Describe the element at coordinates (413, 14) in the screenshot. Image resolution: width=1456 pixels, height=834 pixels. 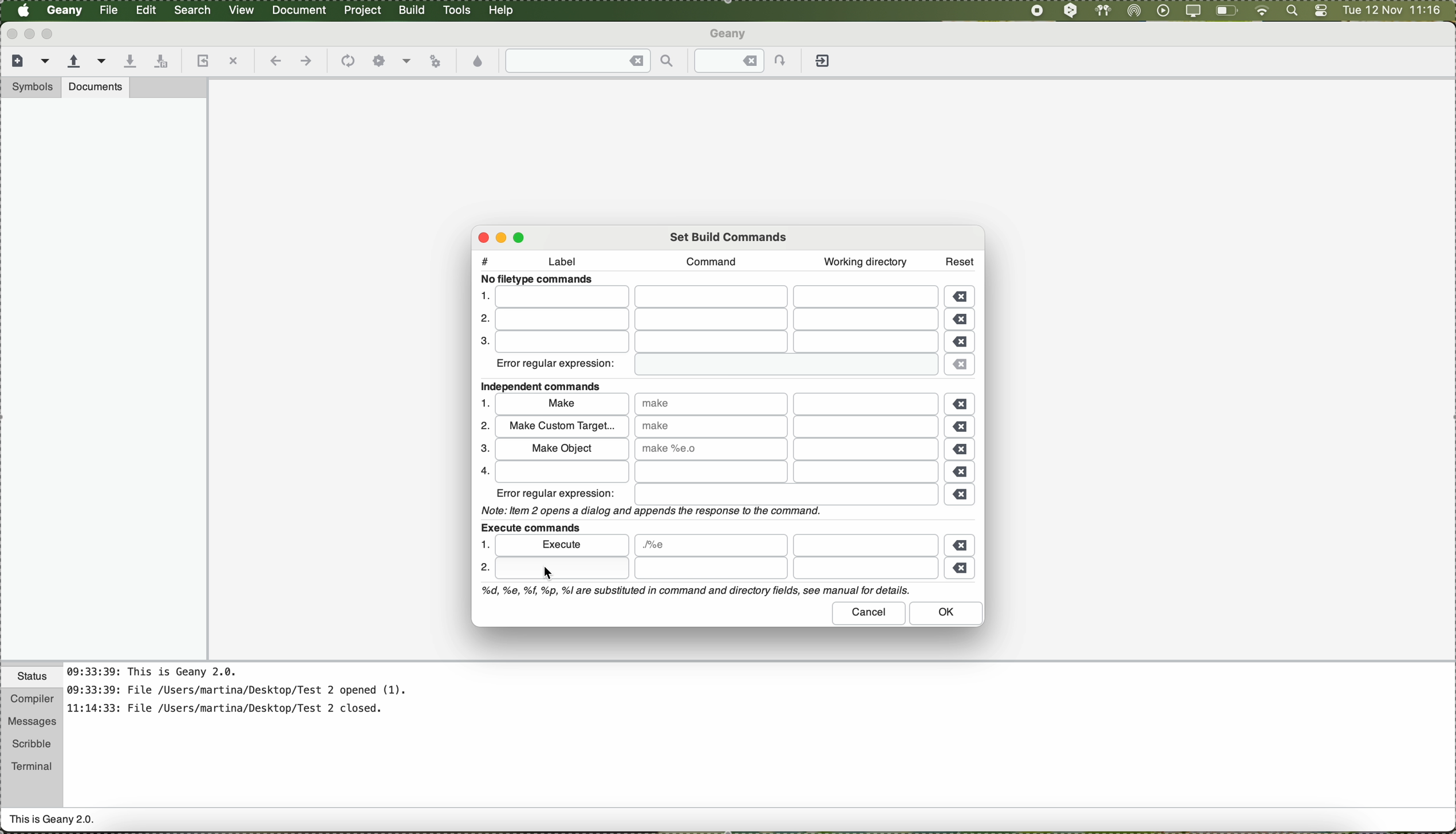
I see `click on build` at that location.